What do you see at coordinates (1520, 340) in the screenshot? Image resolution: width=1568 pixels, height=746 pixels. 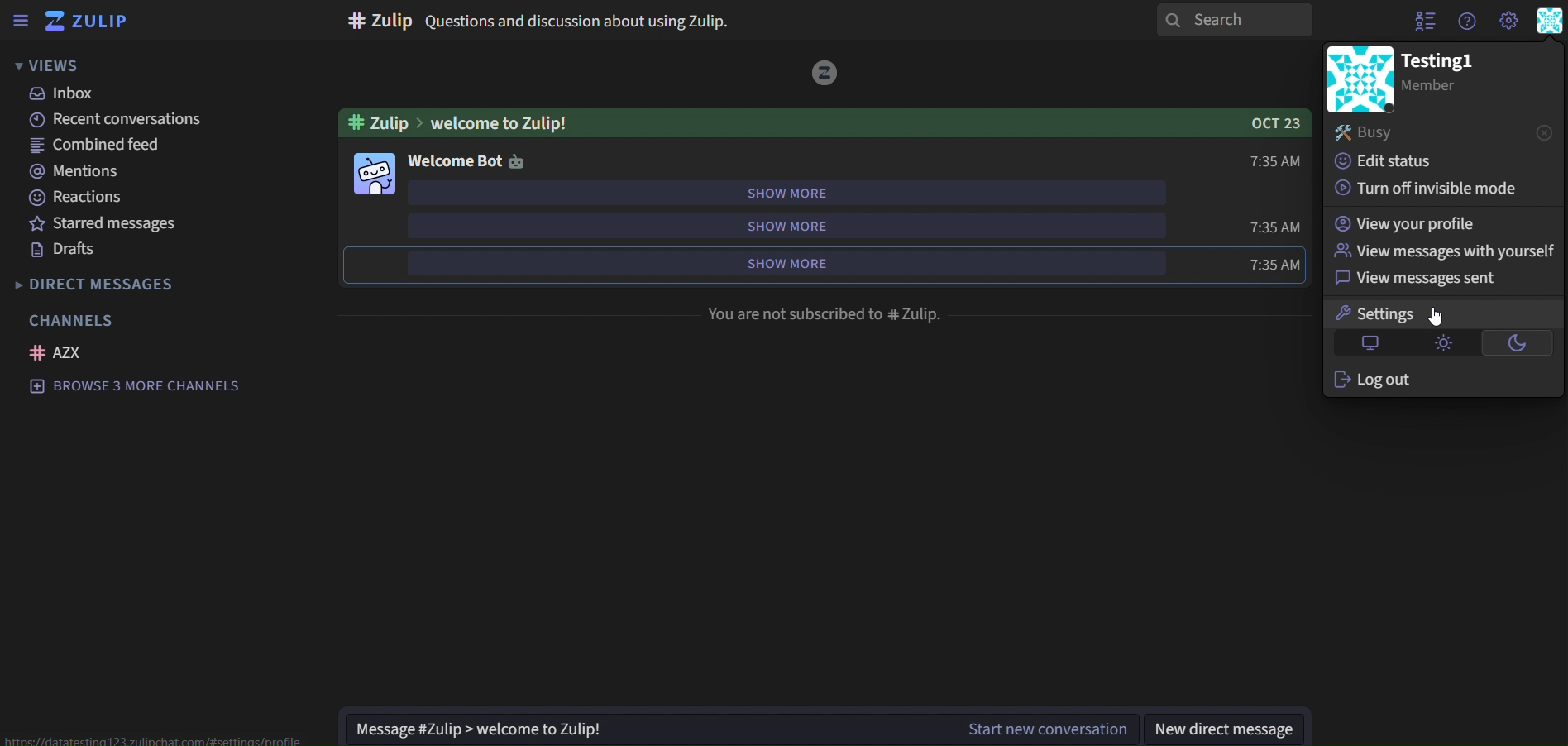 I see `dark theme` at bounding box center [1520, 340].